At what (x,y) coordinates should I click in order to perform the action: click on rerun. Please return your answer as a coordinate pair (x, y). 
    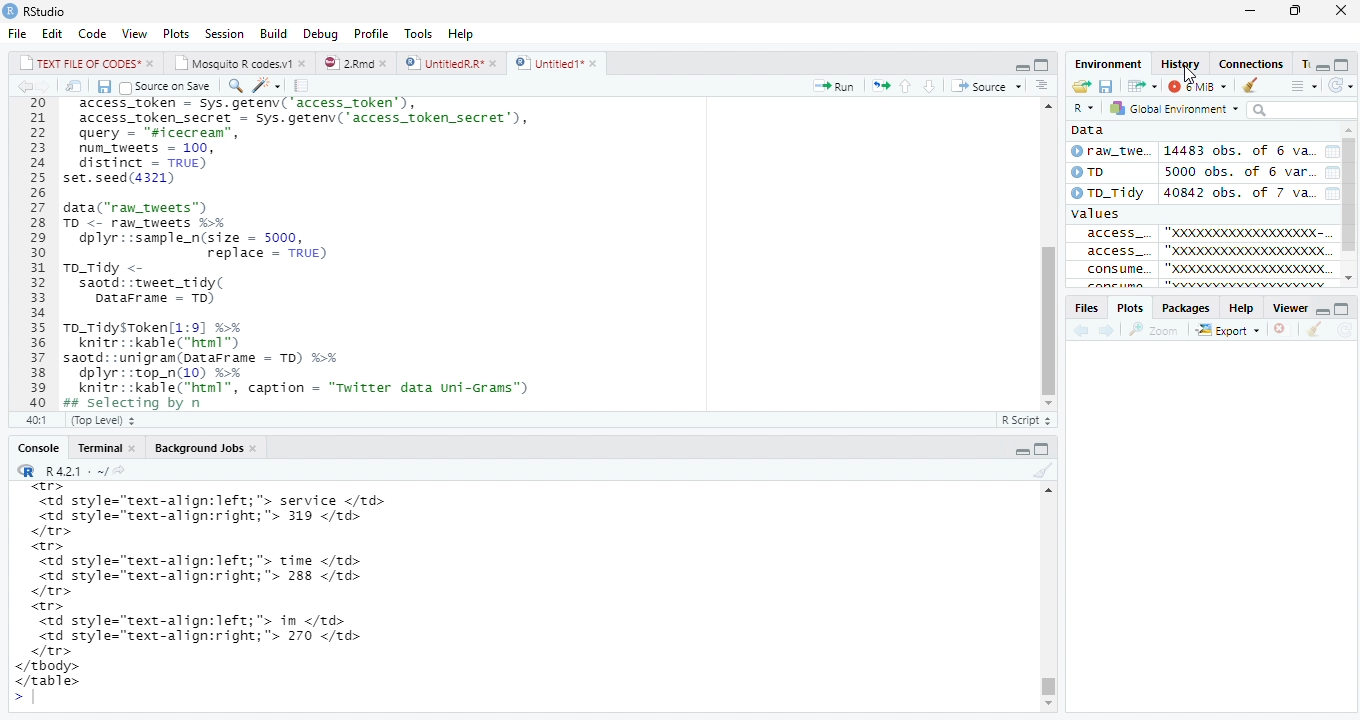
    Looking at the image, I should click on (883, 84).